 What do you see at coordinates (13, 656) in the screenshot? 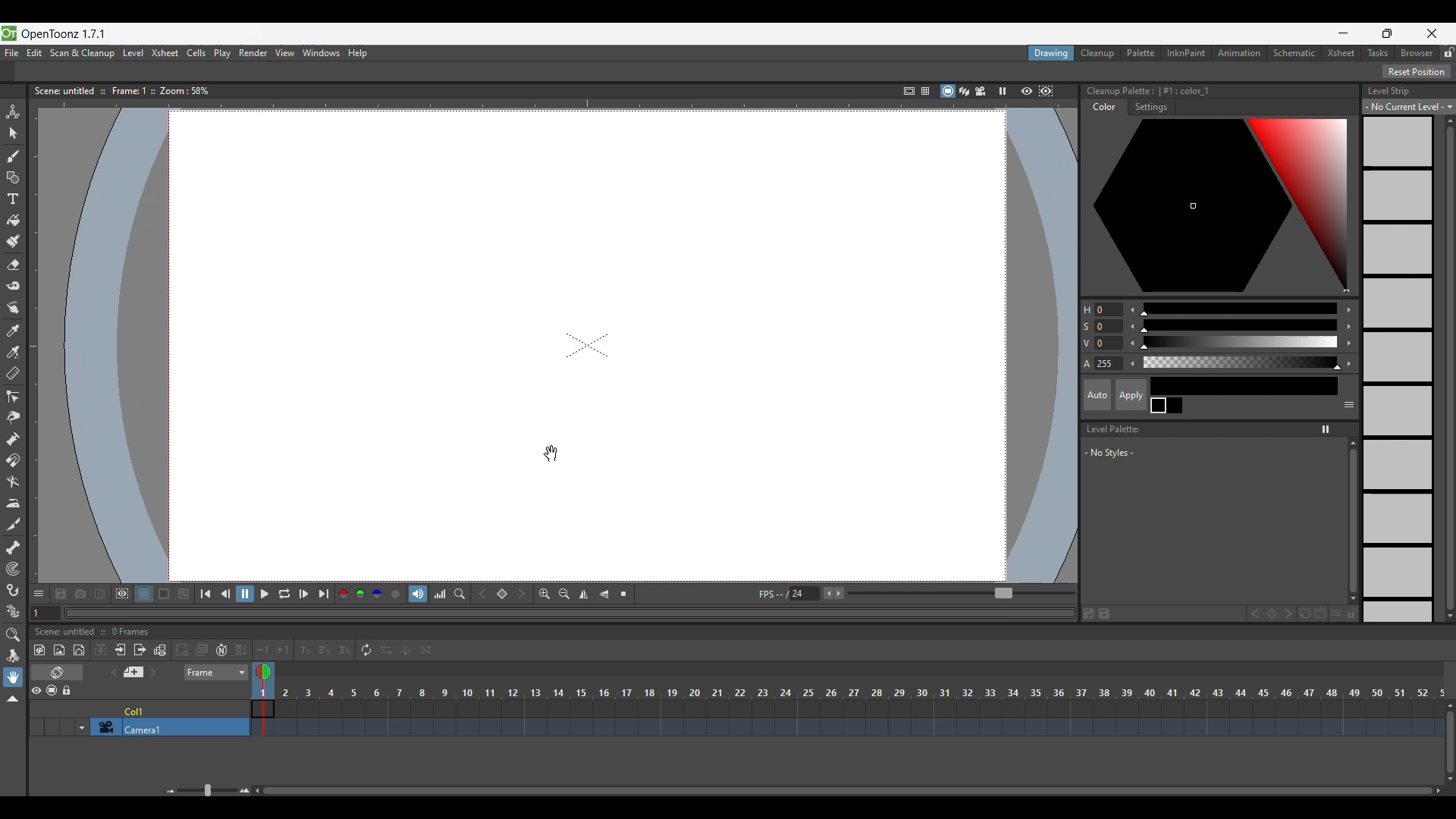
I see `Rotate tool` at bounding box center [13, 656].